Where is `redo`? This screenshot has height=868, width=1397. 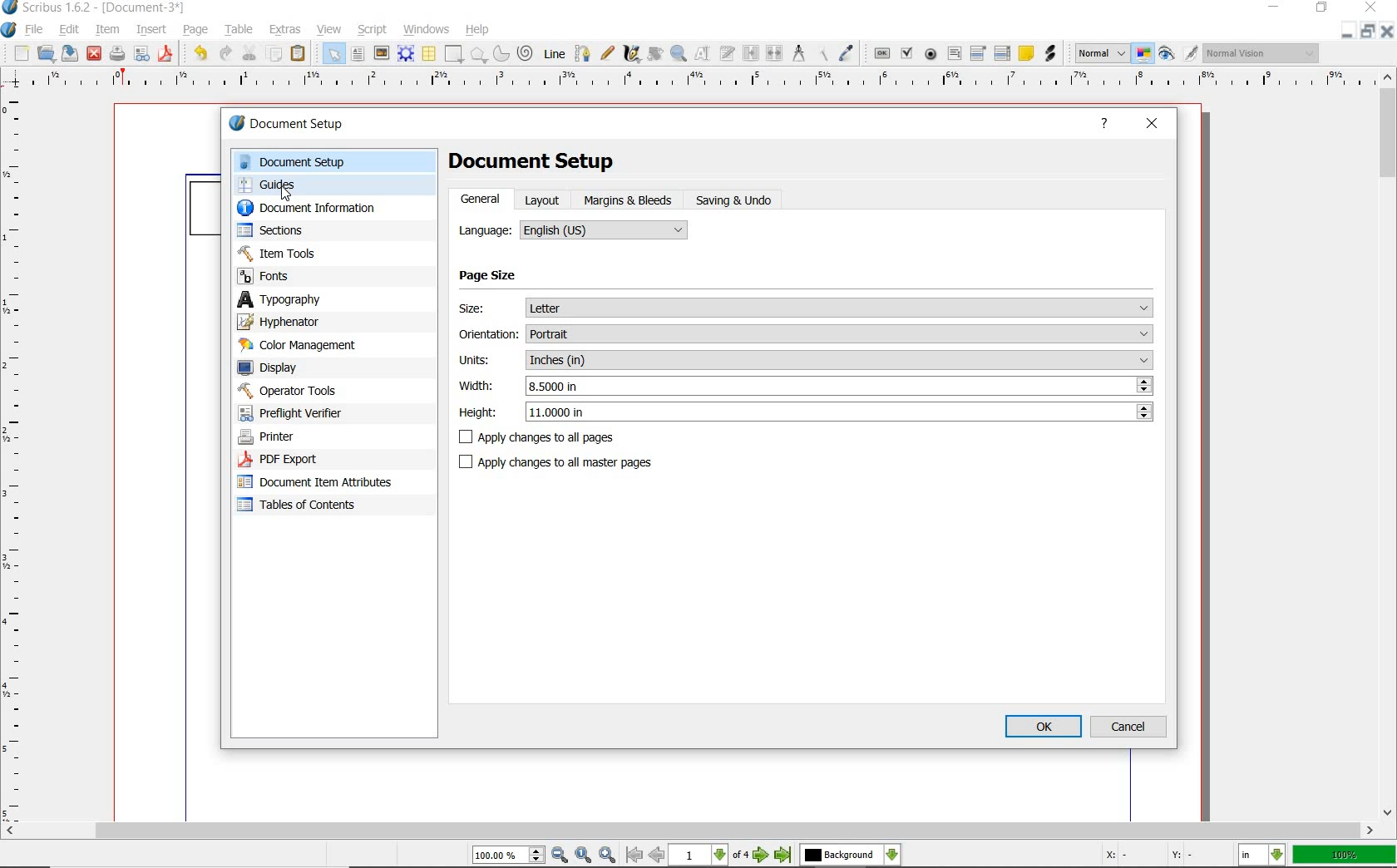 redo is located at coordinates (225, 54).